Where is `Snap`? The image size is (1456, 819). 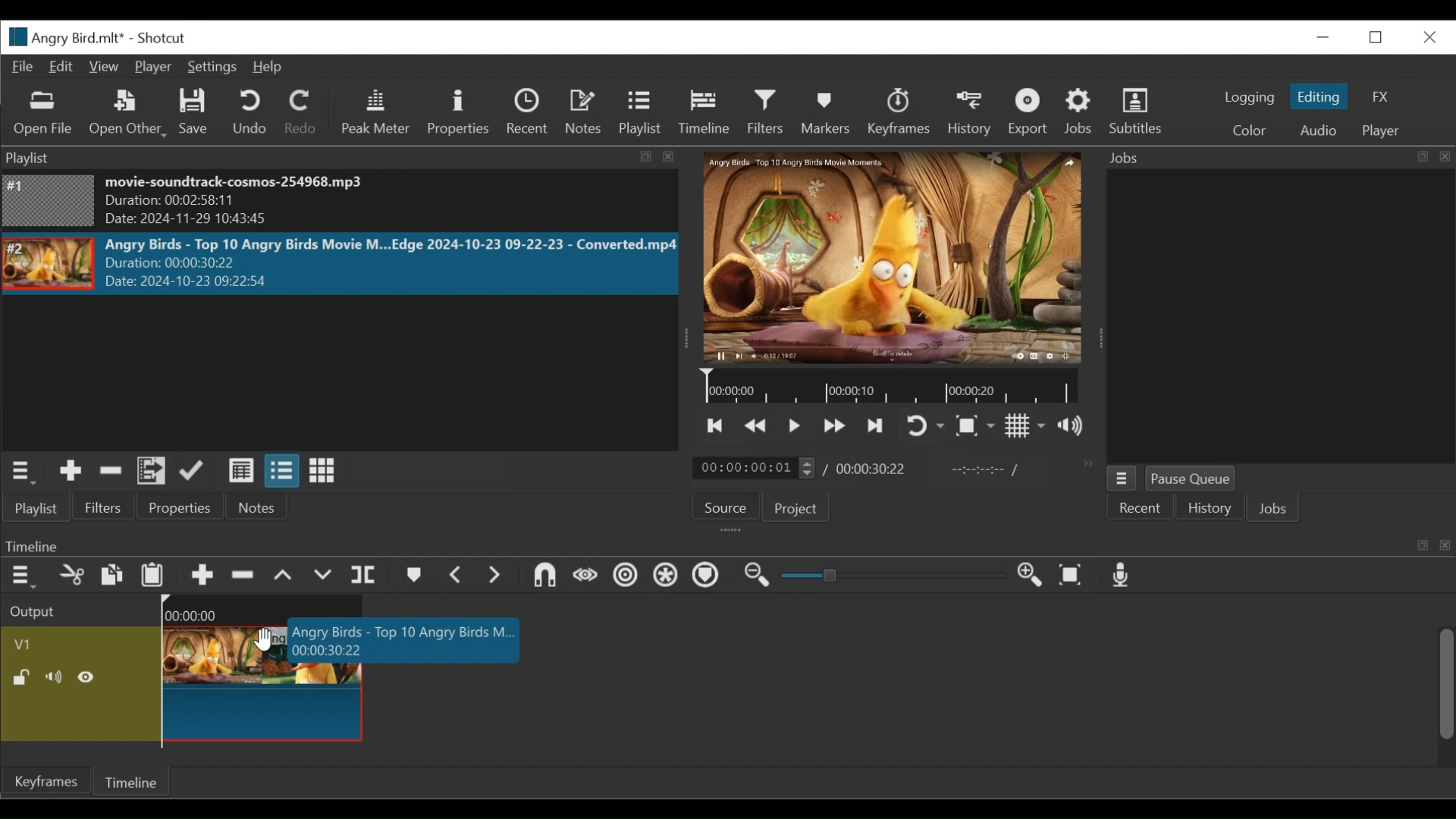
Snap is located at coordinates (542, 577).